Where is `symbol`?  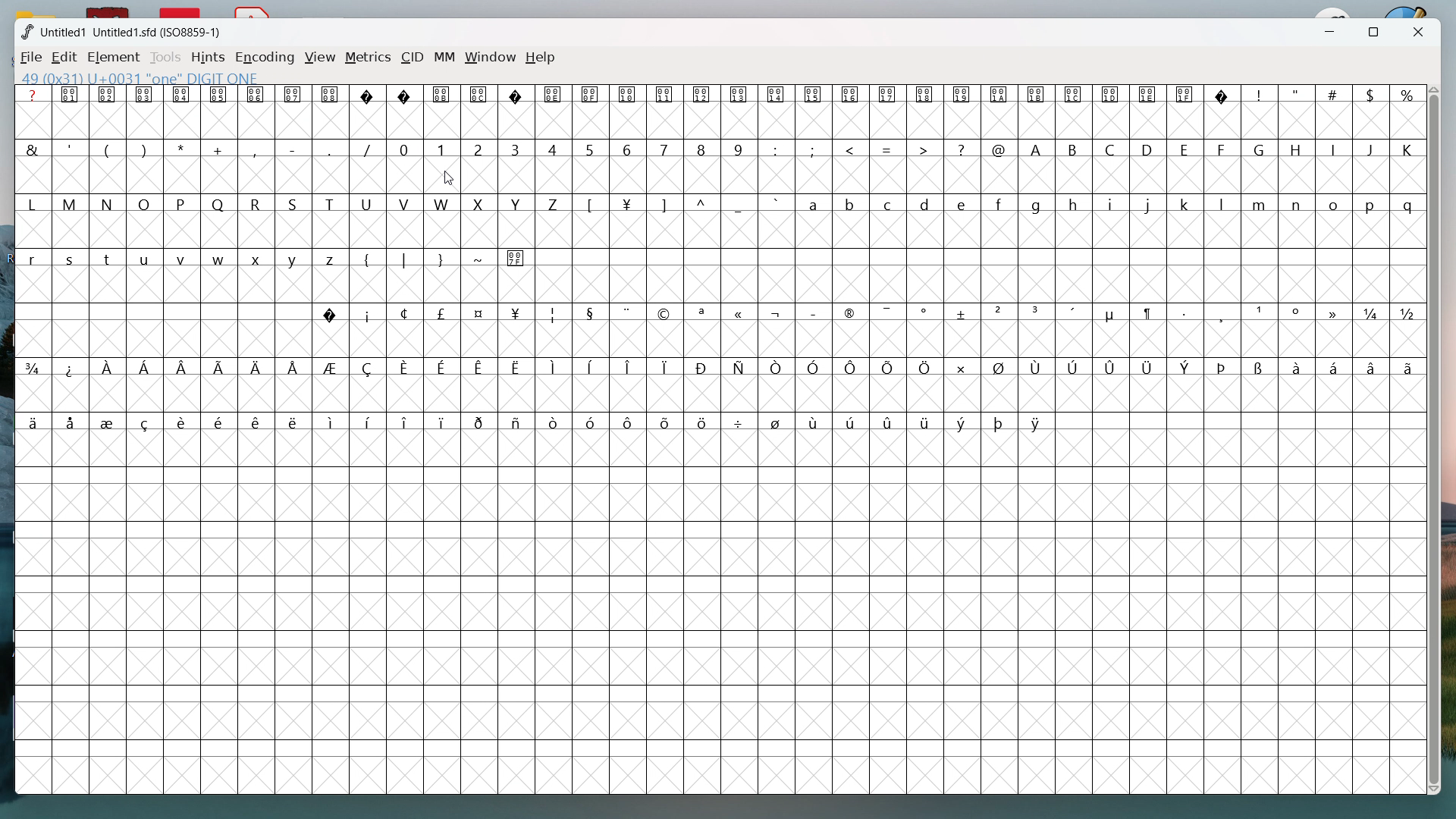
symbol is located at coordinates (330, 313).